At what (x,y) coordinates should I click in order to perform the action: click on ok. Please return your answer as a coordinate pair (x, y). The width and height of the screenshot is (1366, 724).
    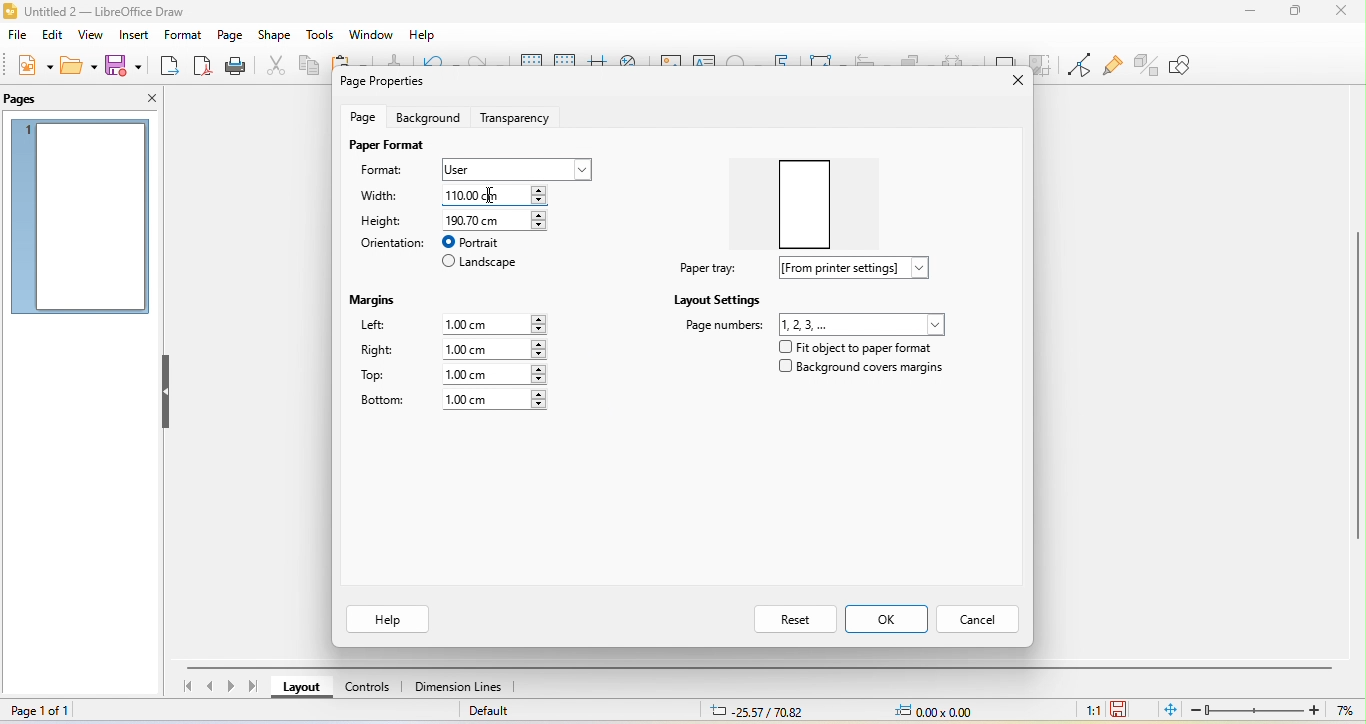
    Looking at the image, I should click on (888, 619).